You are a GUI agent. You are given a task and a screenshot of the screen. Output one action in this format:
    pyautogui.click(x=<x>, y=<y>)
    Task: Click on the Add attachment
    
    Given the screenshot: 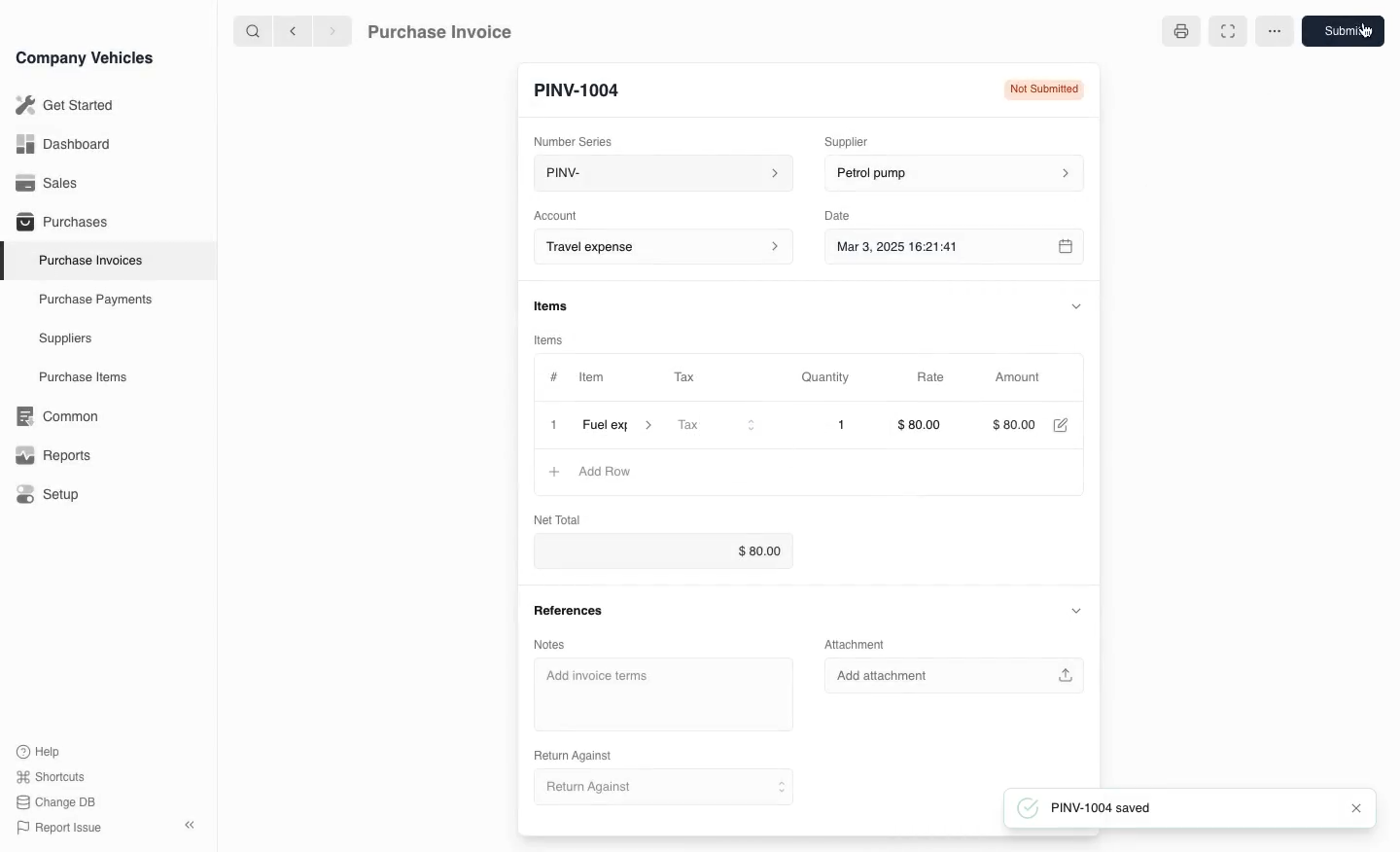 What is the action you would take?
    pyautogui.click(x=956, y=675)
    